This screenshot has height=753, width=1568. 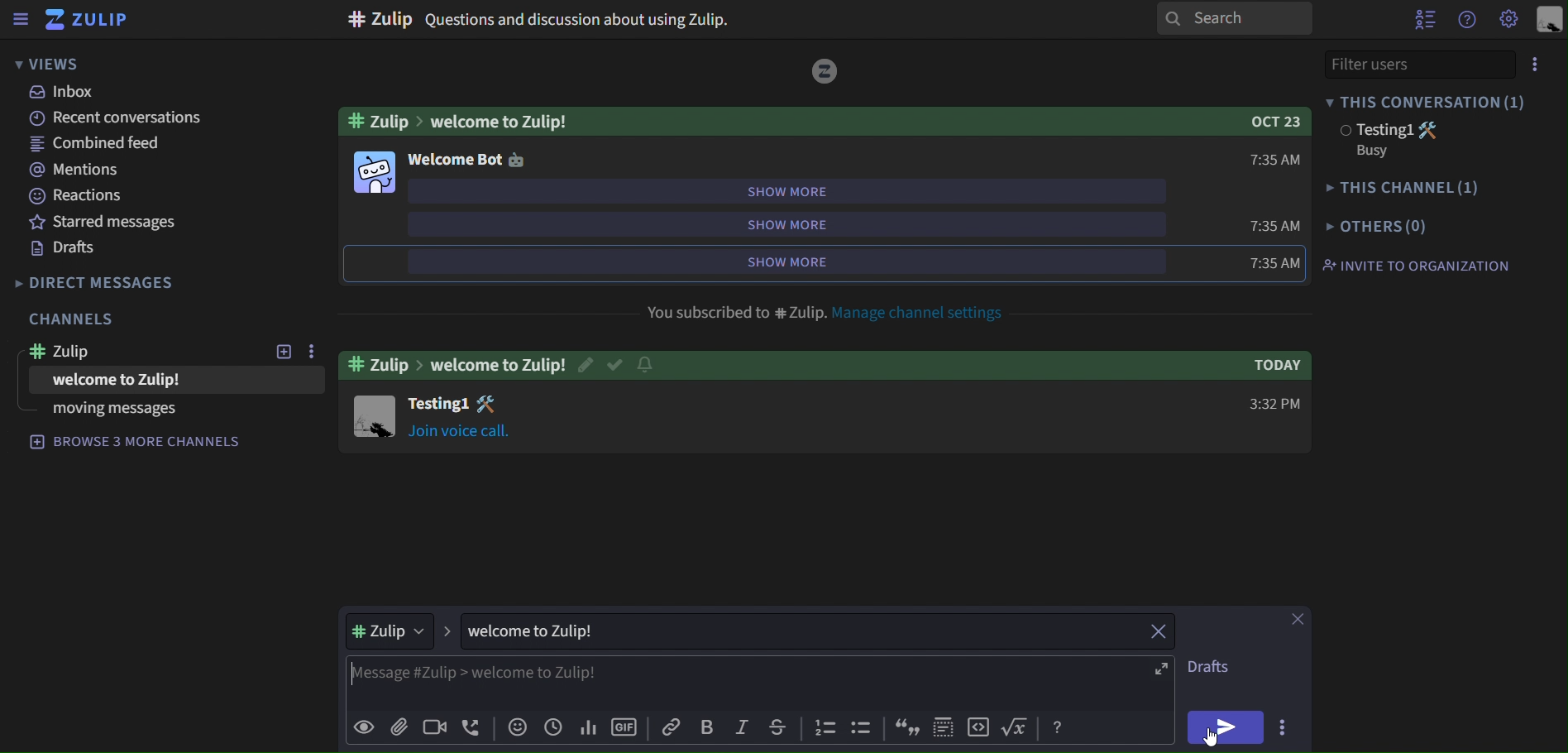 I want to click on this conversation, so click(x=1422, y=101).